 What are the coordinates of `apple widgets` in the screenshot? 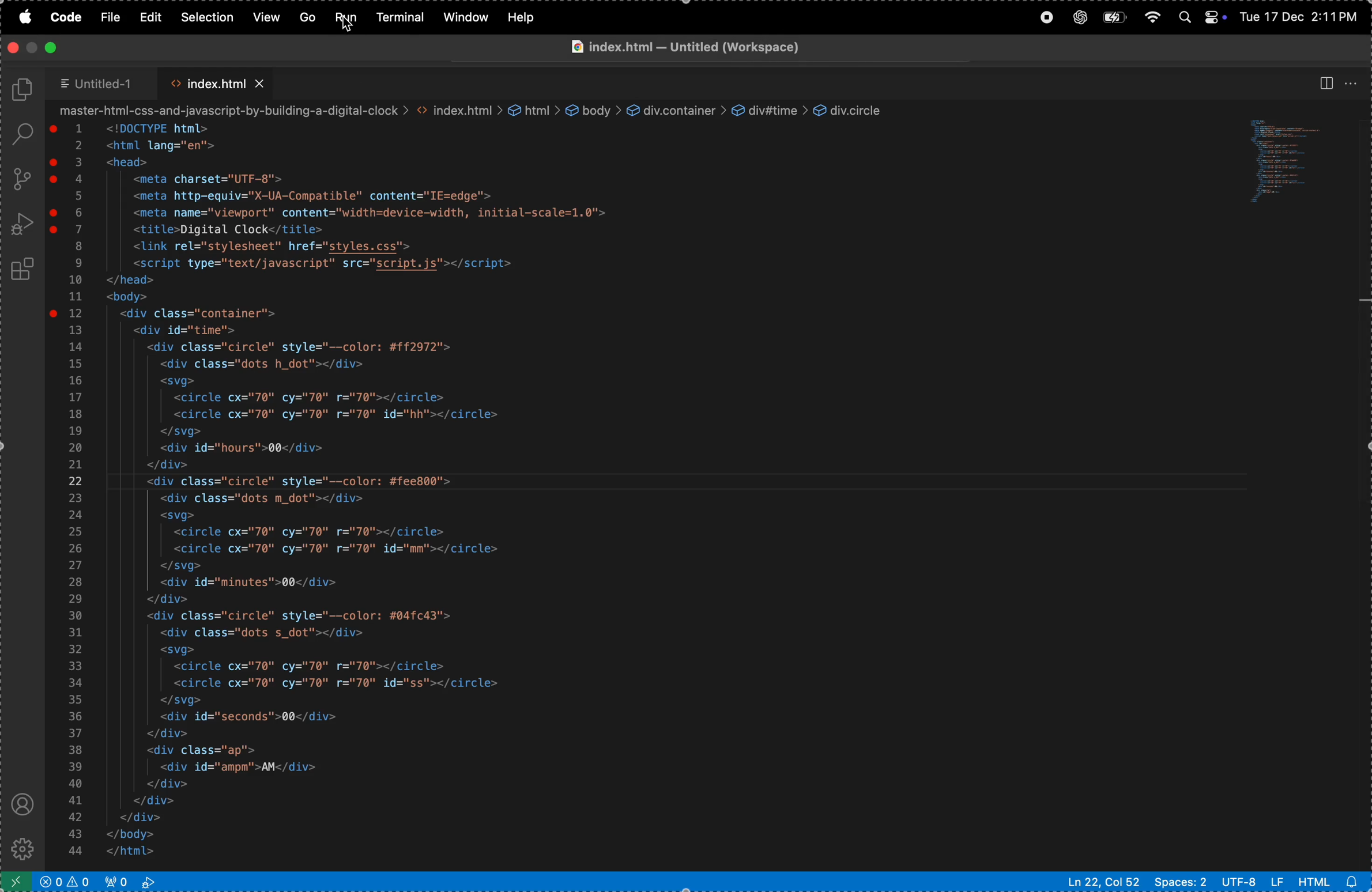 It's located at (1197, 14).